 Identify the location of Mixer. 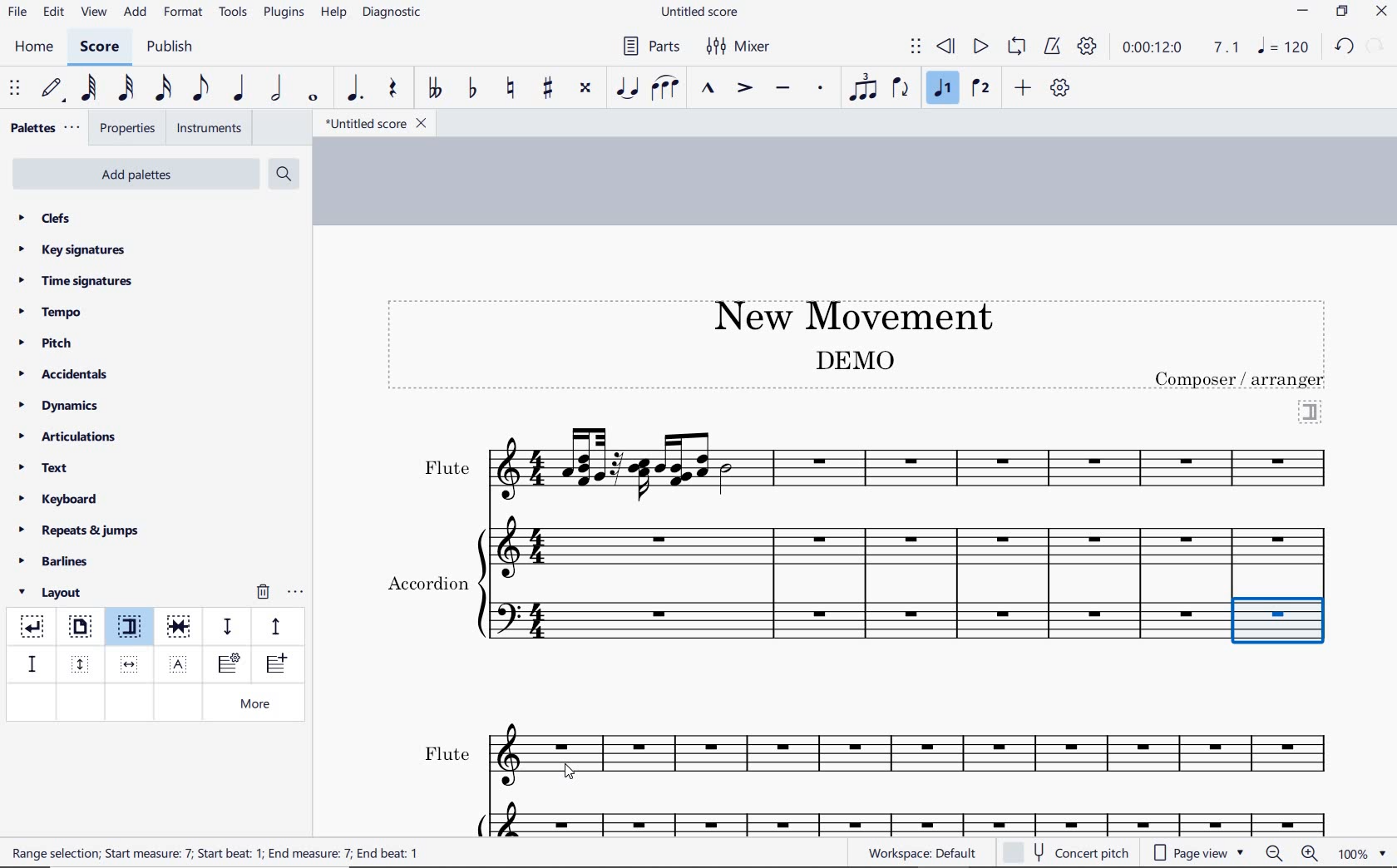
(739, 47).